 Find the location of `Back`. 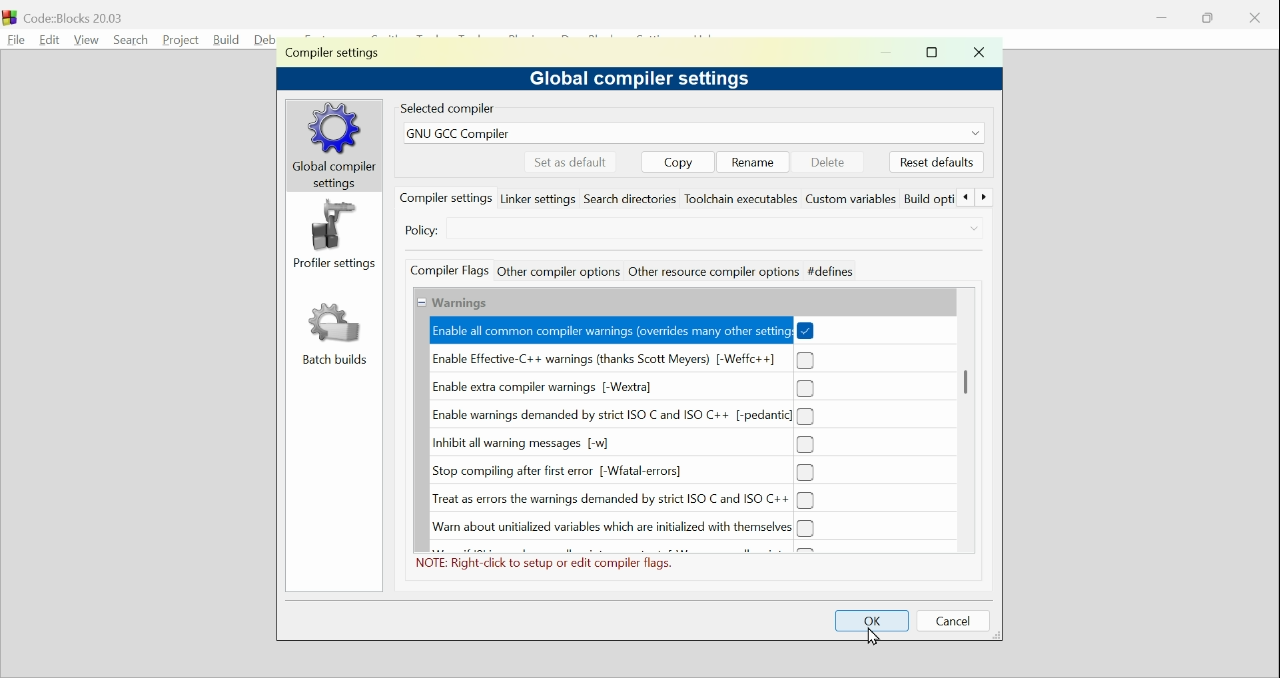

Back is located at coordinates (965, 199).